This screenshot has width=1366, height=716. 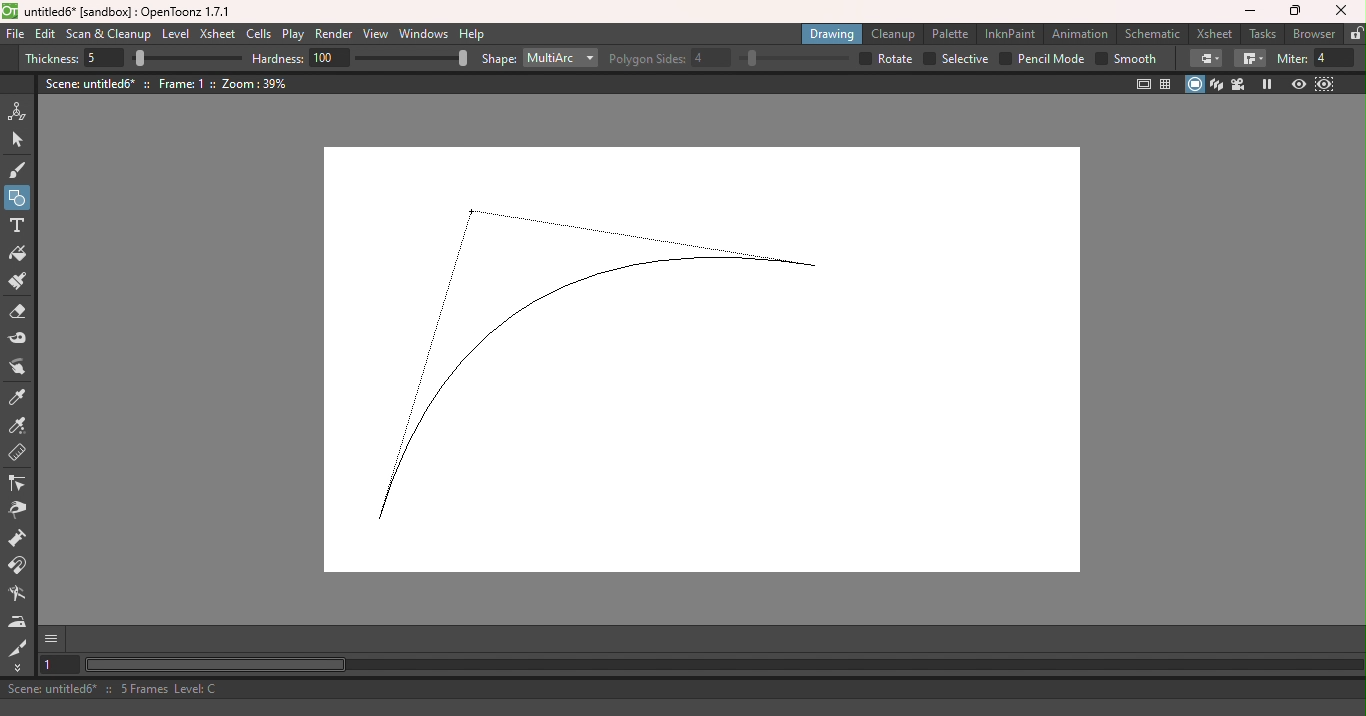 What do you see at coordinates (17, 341) in the screenshot?
I see `Tape tool` at bounding box center [17, 341].